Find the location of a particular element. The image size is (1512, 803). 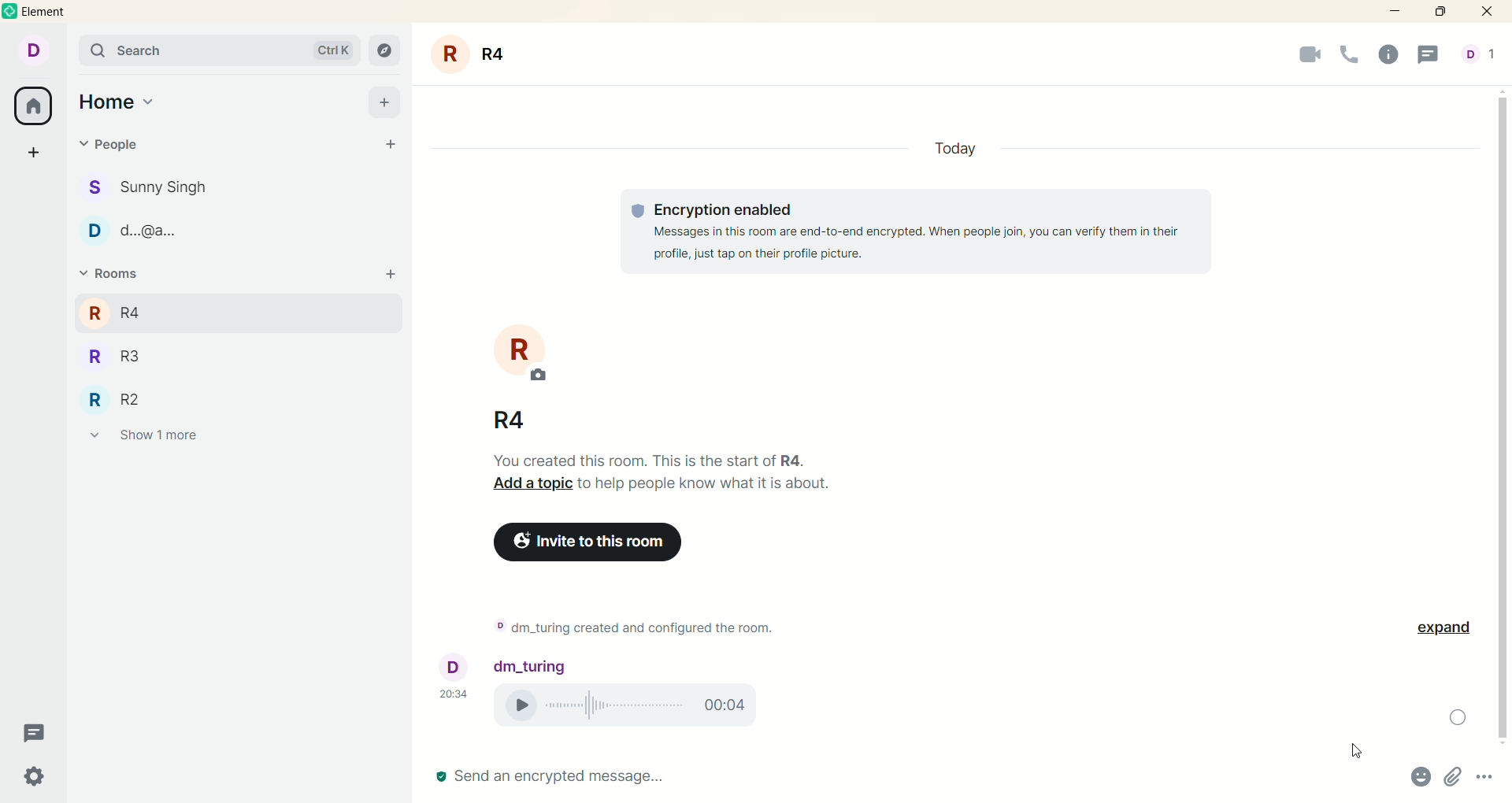

minimize is located at coordinates (1392, 13).